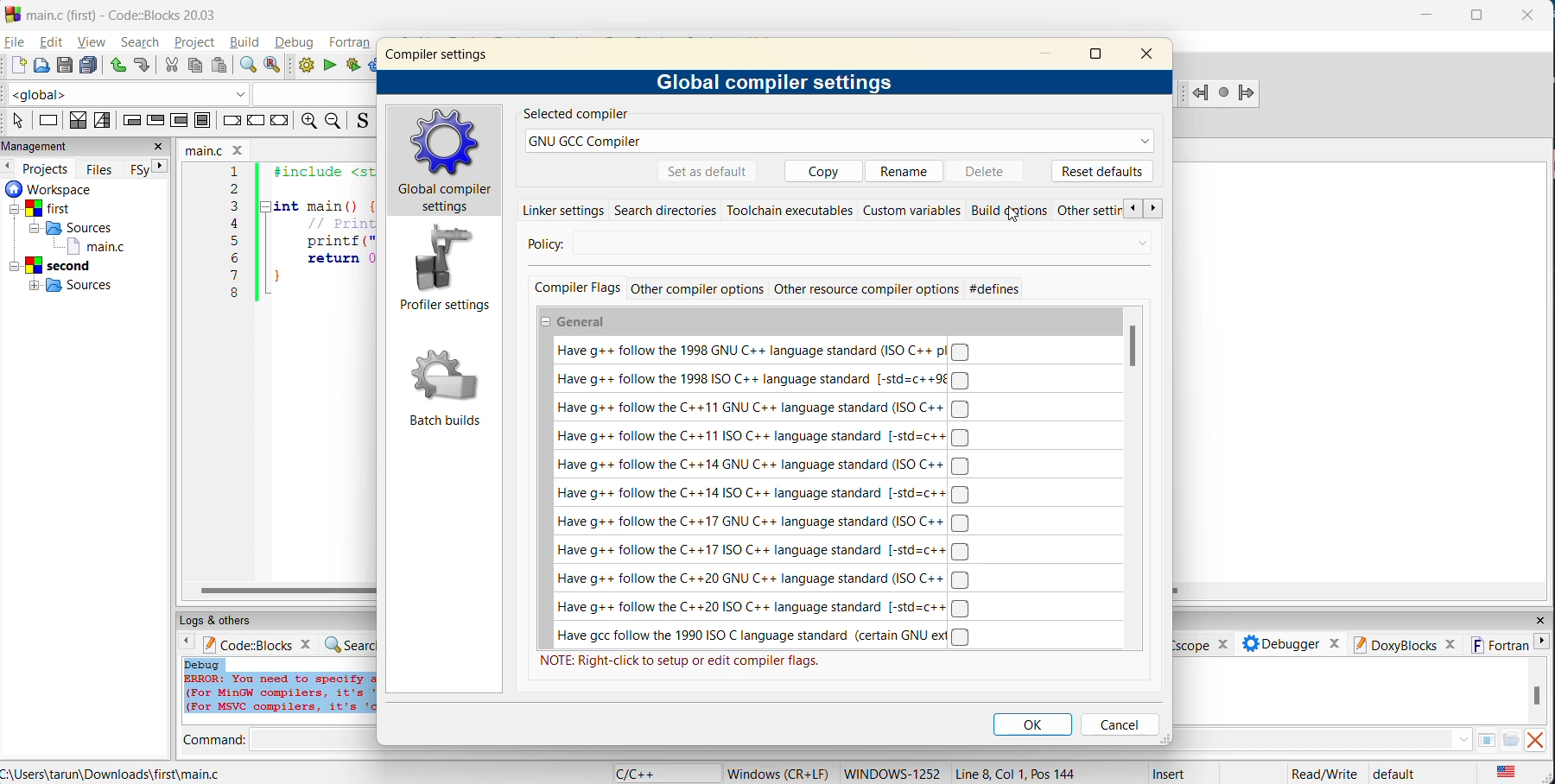  I want to click on global compiler settings, so click(448, 164).